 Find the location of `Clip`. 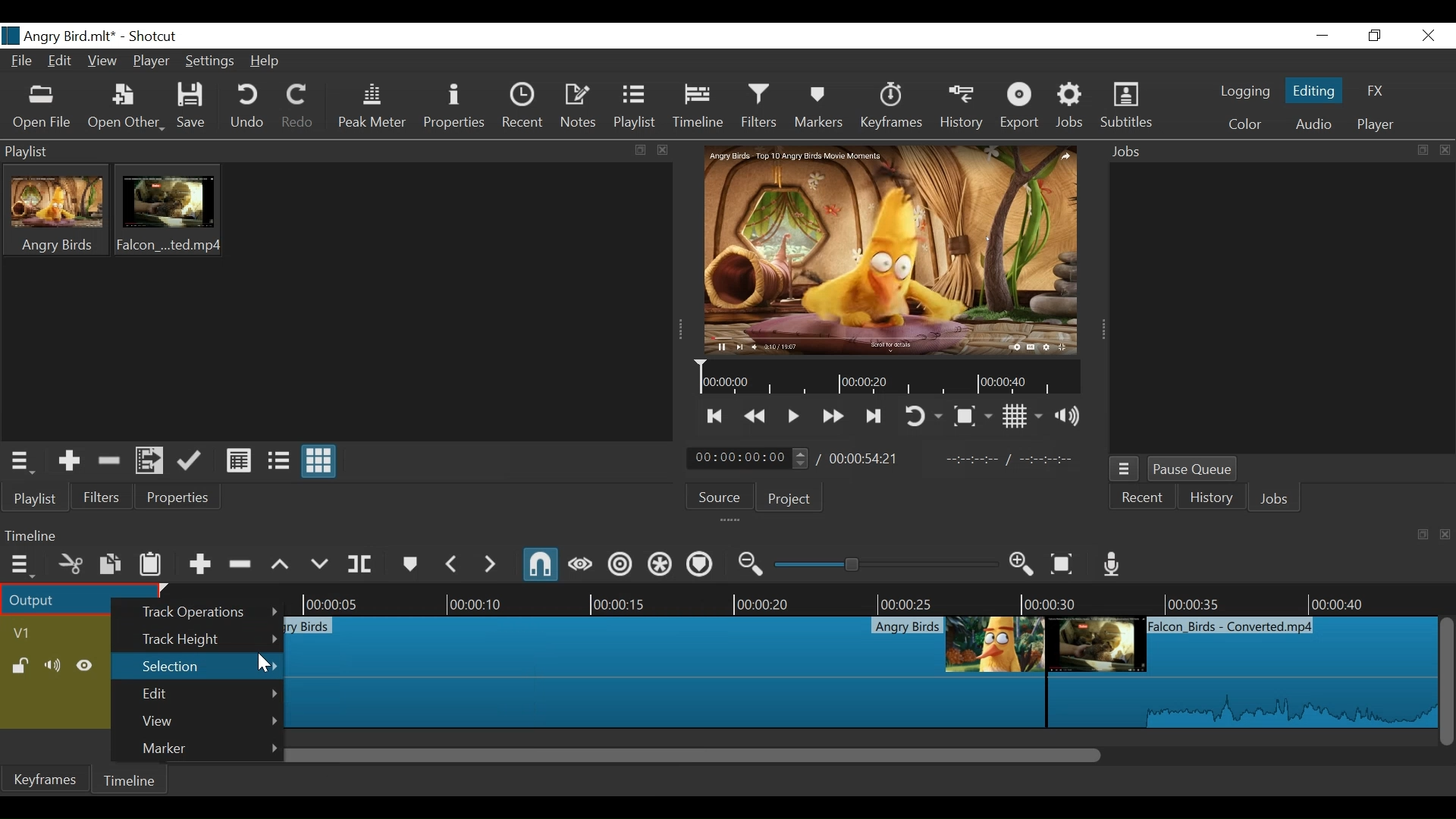

Clip is located at coordinates (667, 672).